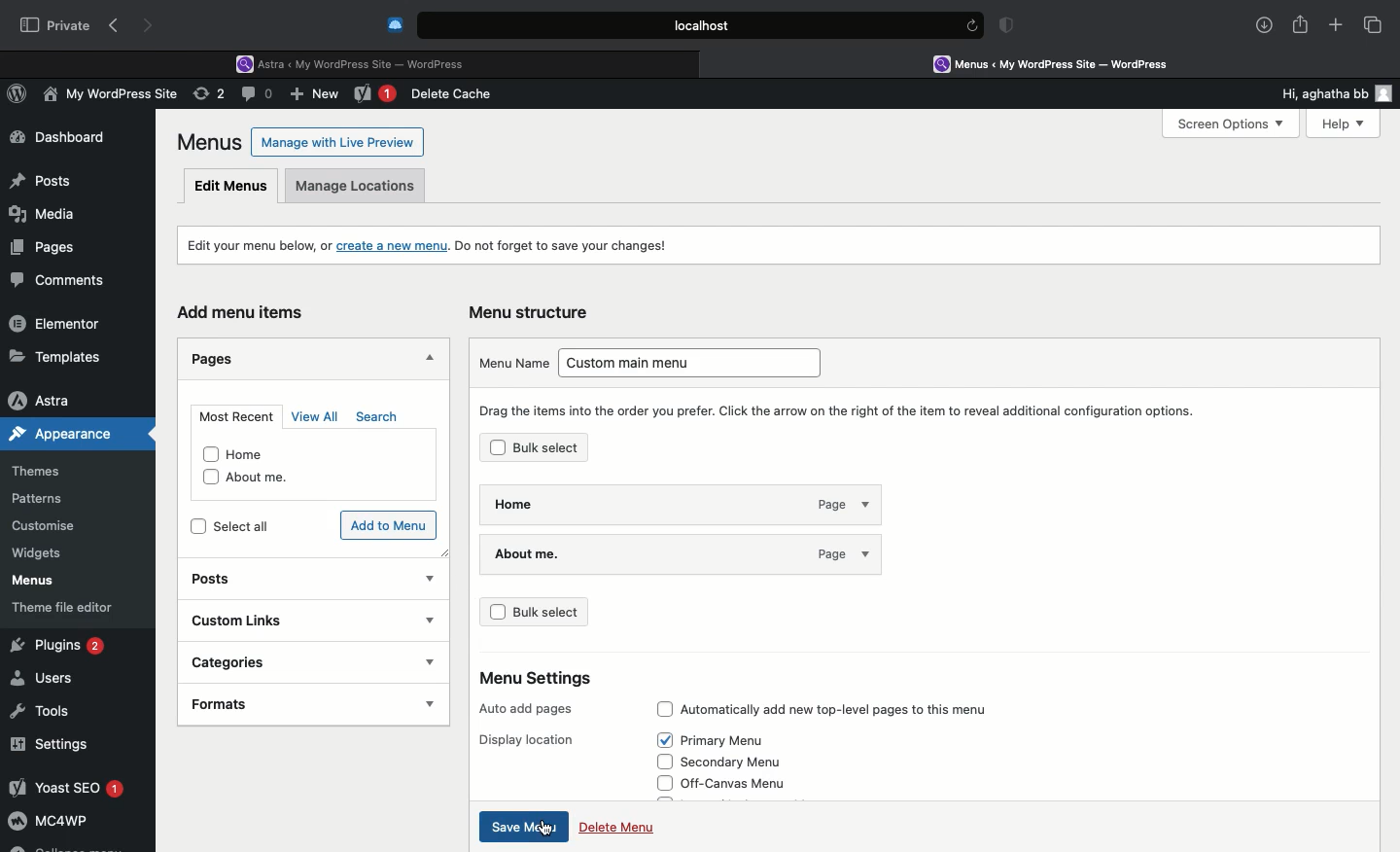 The width and height of the screenshot is (1400, 852). What do you see at coordinates (427, 360) in the screenshot?
I see `Hide` at bounding box center [427, 360].